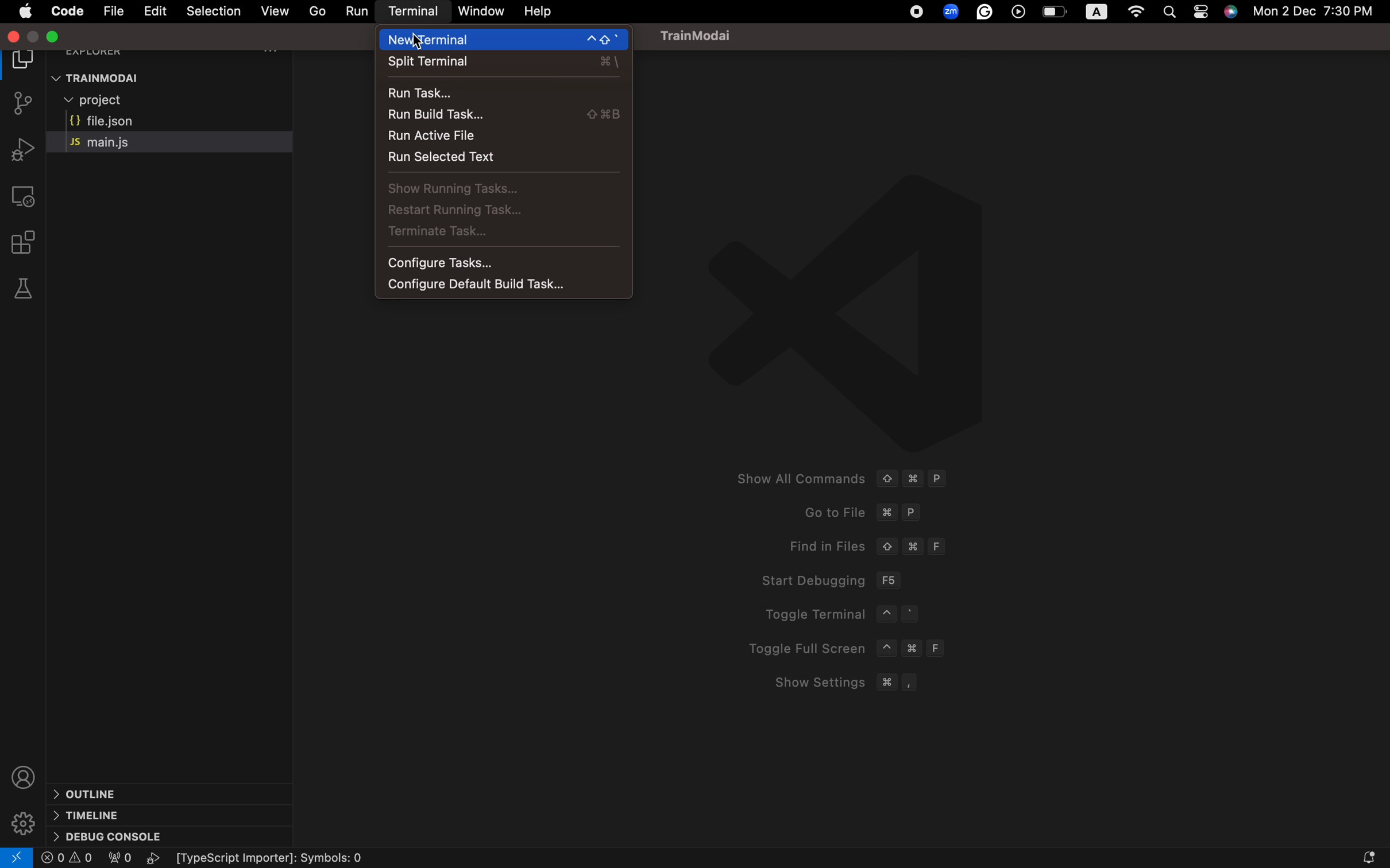 The height and width of the screenshot is (868, 1390). I want to click on view, so click(273, 10).